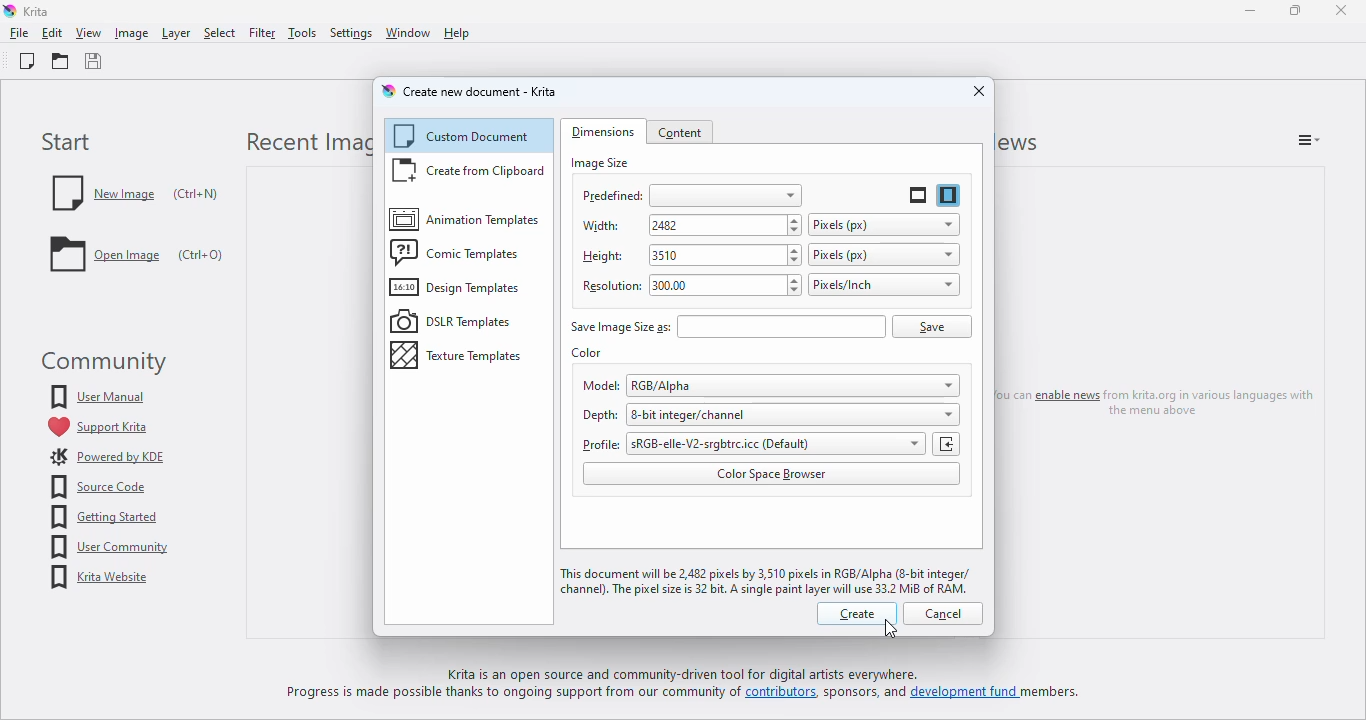 Image resolution: width=1366 pixels, height=720 pixels. I want to click on file, so click(19, 33).